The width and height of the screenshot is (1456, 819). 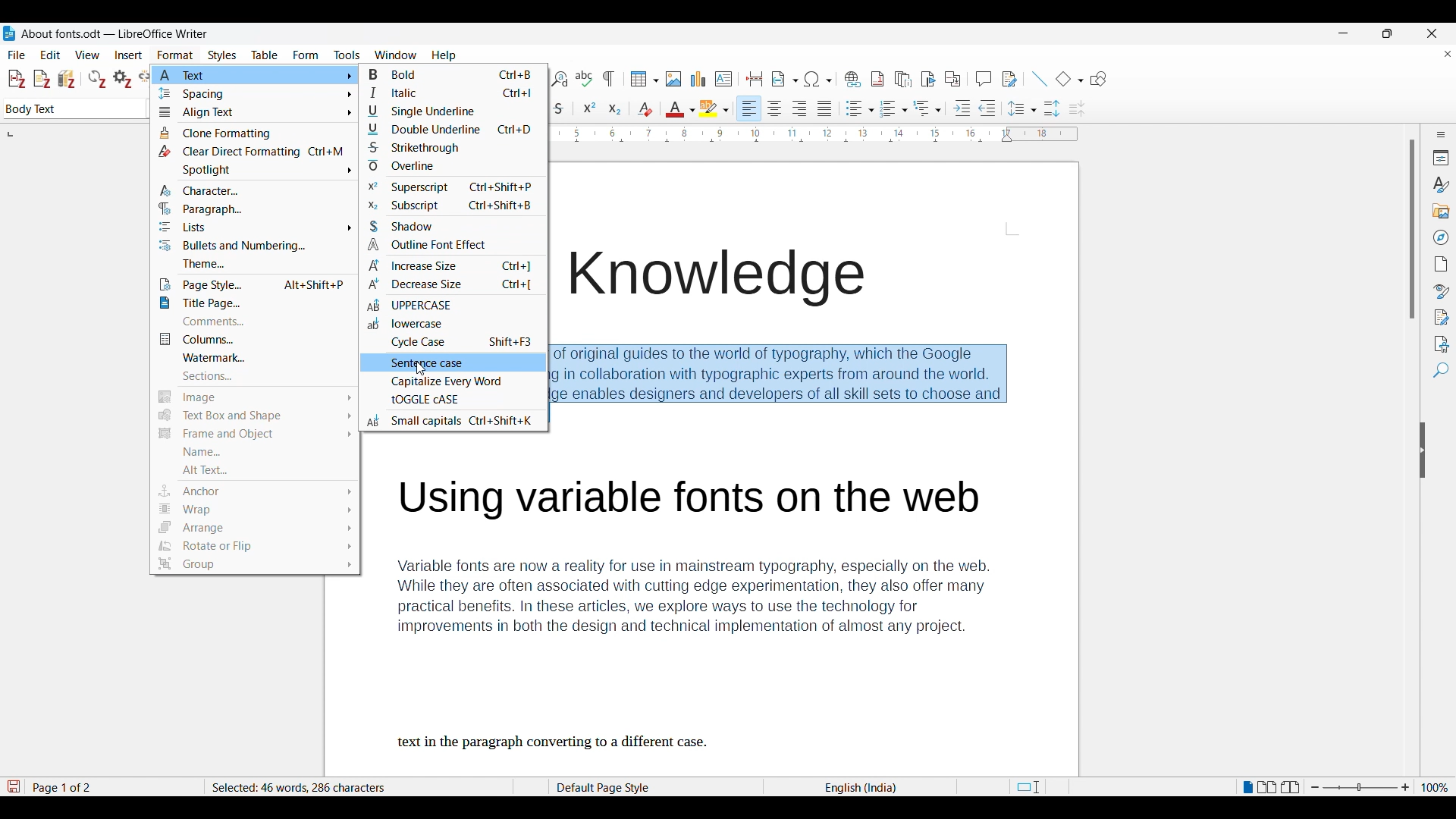 What do you see at coordinates (1413, 230) in the screenshot?
I see `Vertical slide bar` at bounding box center [1413, 230].